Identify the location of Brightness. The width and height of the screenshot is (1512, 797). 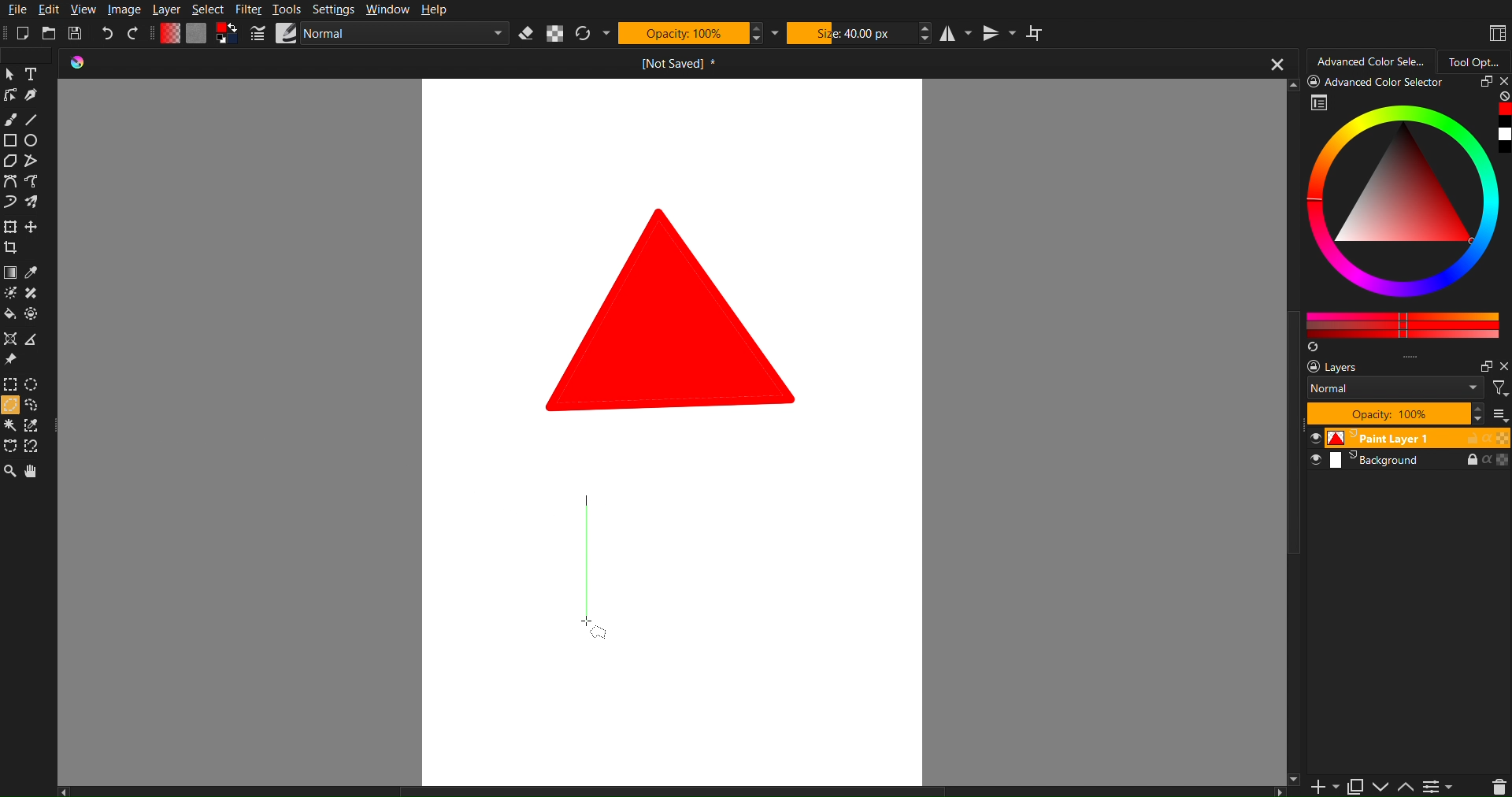
(9, 293).